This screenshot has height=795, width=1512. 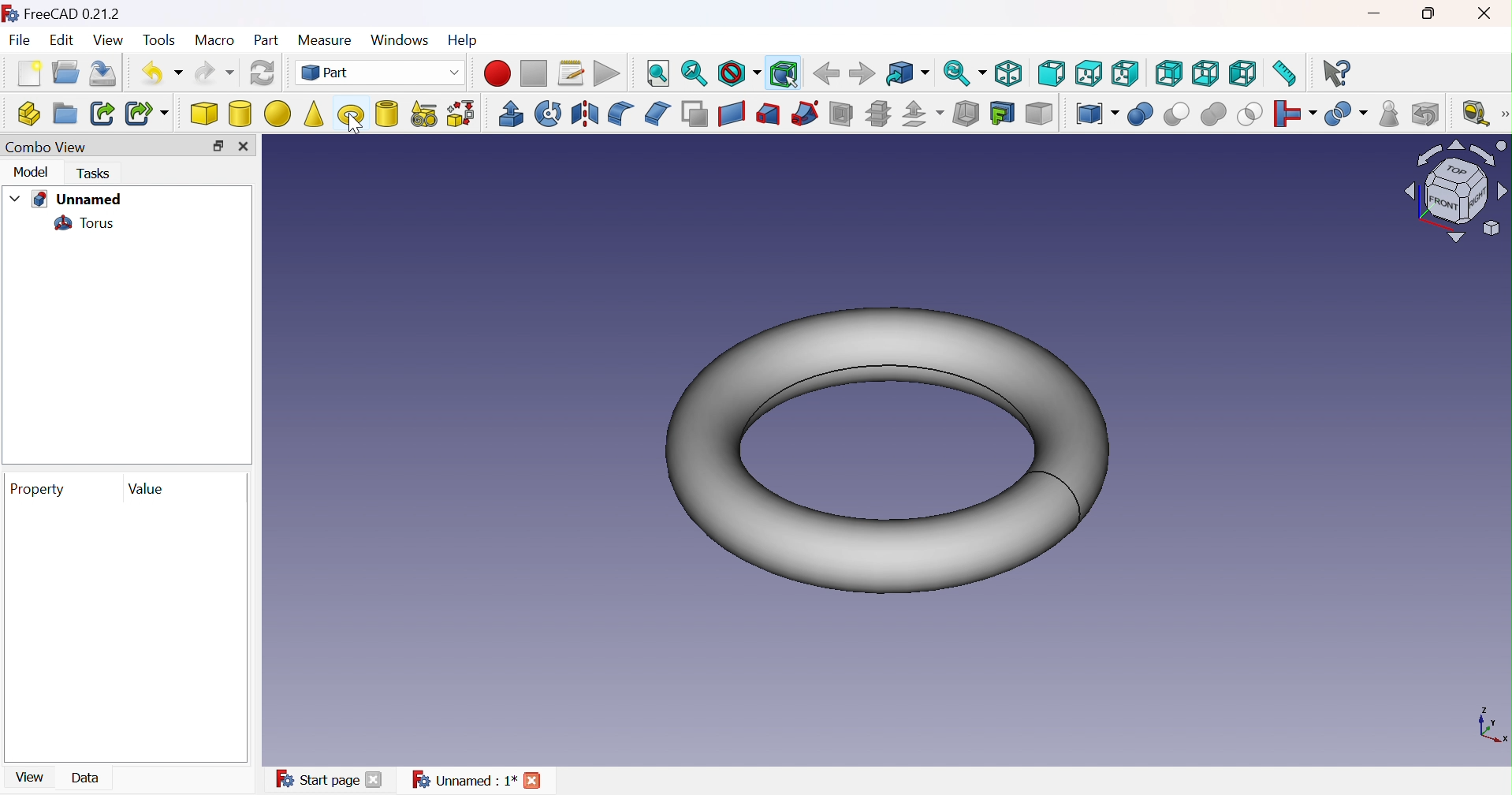 I want to click on Thickness, so click(x=966, y=113).